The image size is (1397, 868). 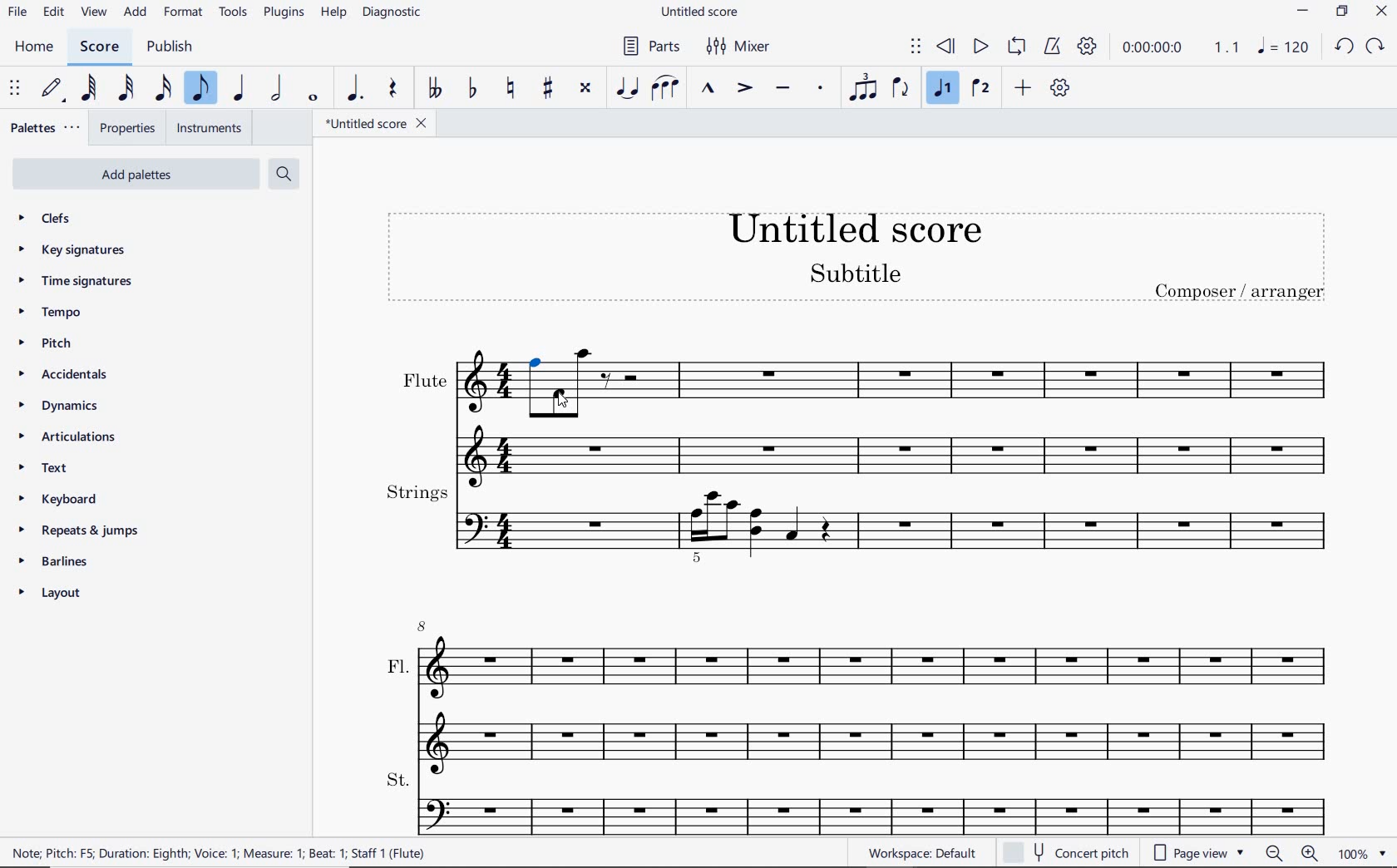 What do you see at coordinates (702, 11) in the screenshot?
I see `file name` at bounding box center [702, 11].